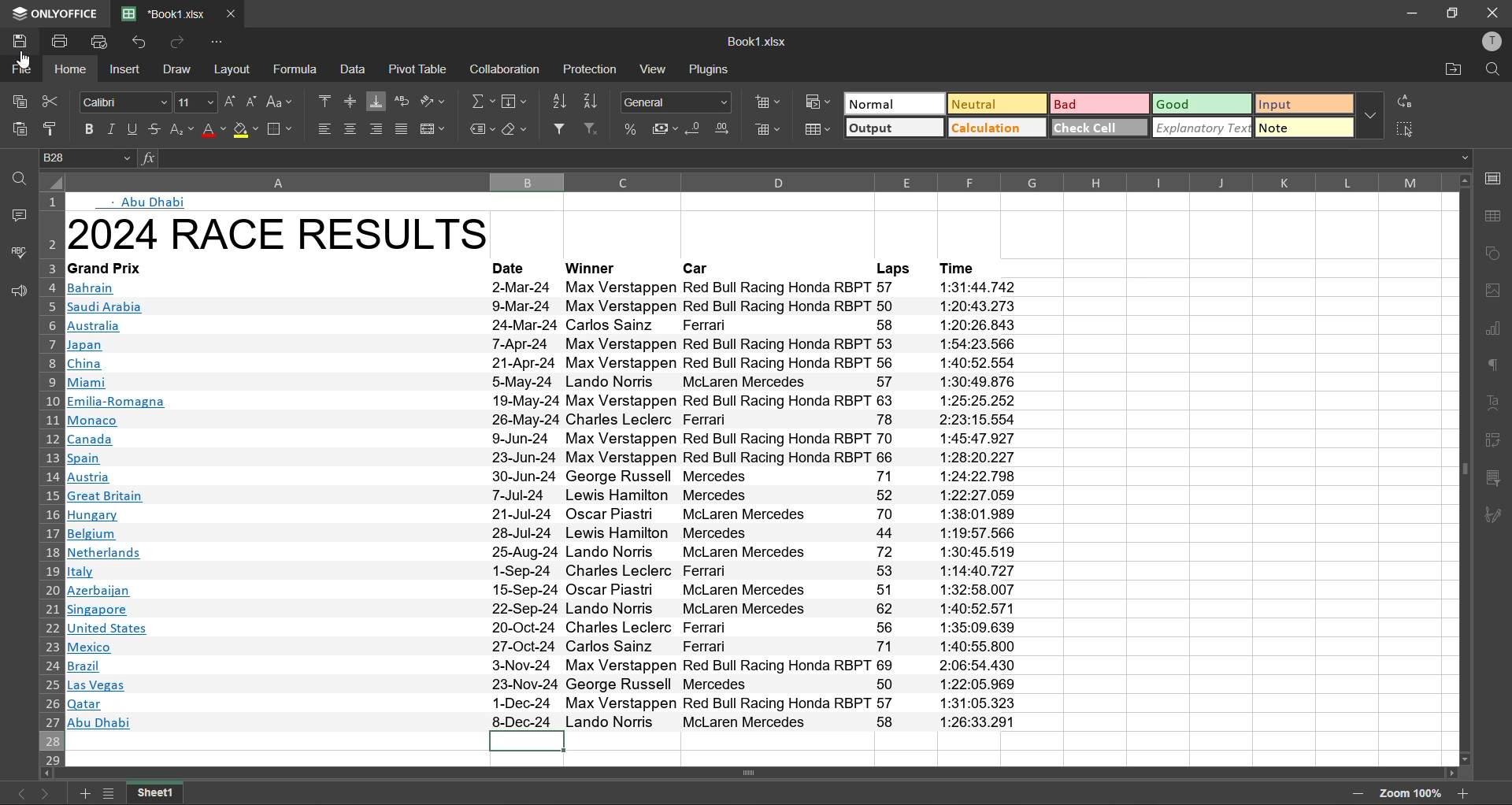 The height and width of the screenshot is (805, 1512). What do you see at coordinates (542, 571) in the screenshot?
I see `Mitaly 1-Sep-24 Charles Leclerc Ferrari 53 1:14:40.727` at bounding box center [542, 571].